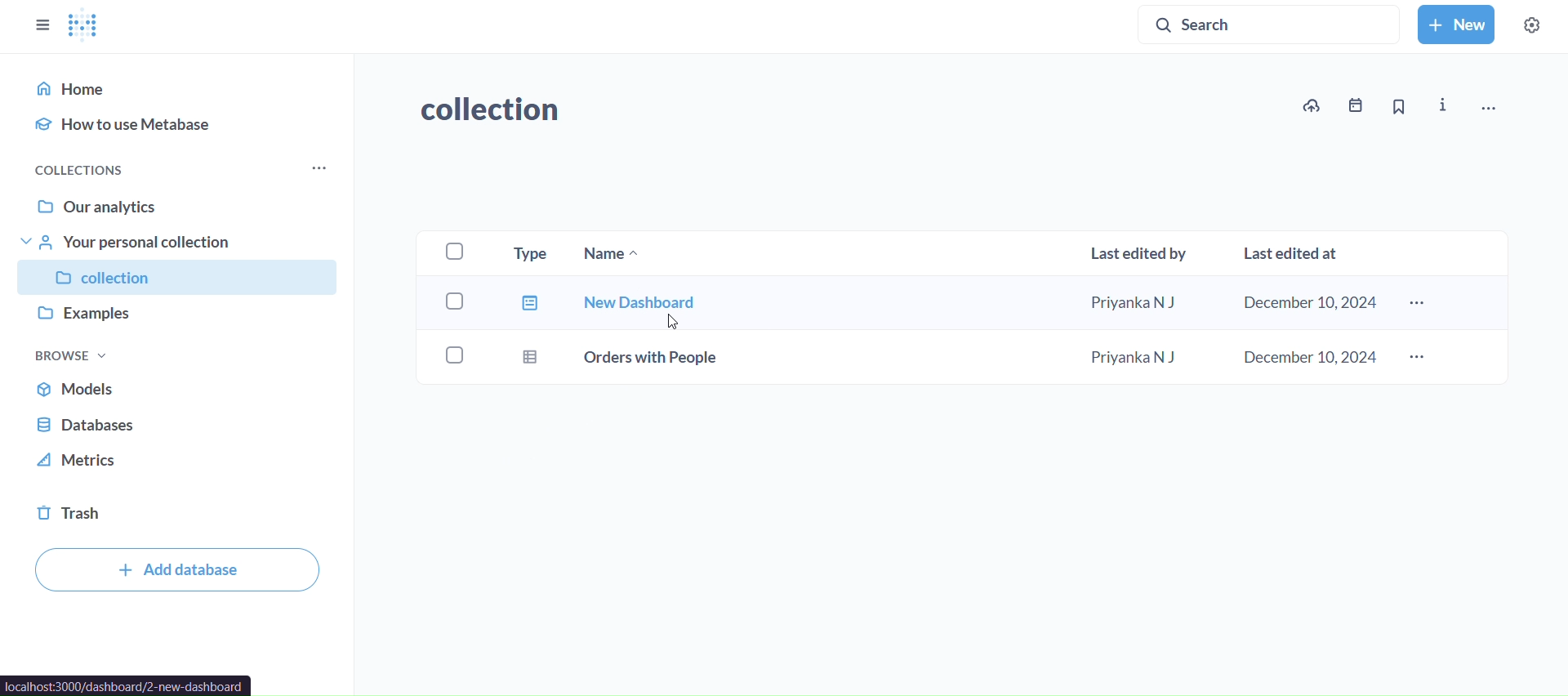  What do you see at coordinates (1140, 254) in the screenshot?
I see `last edited by` at bounding box center [1140, 254].